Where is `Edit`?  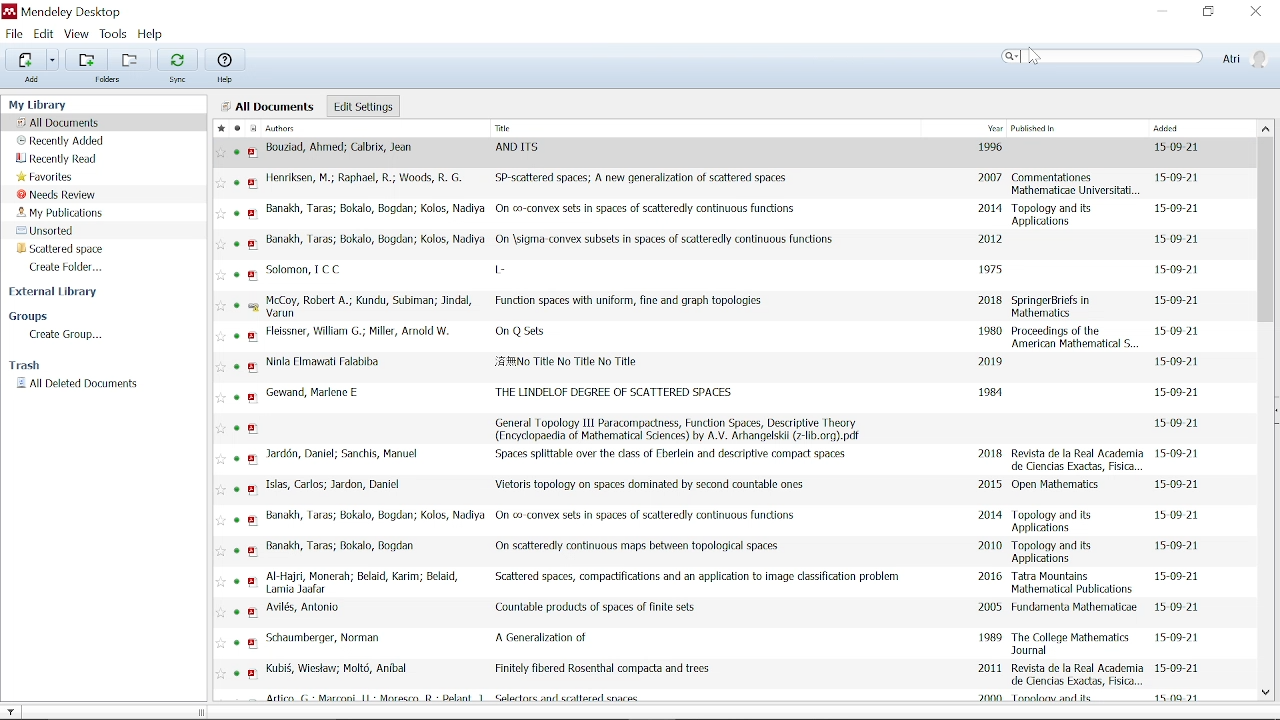
Edit is located at coordinates (43, 34).